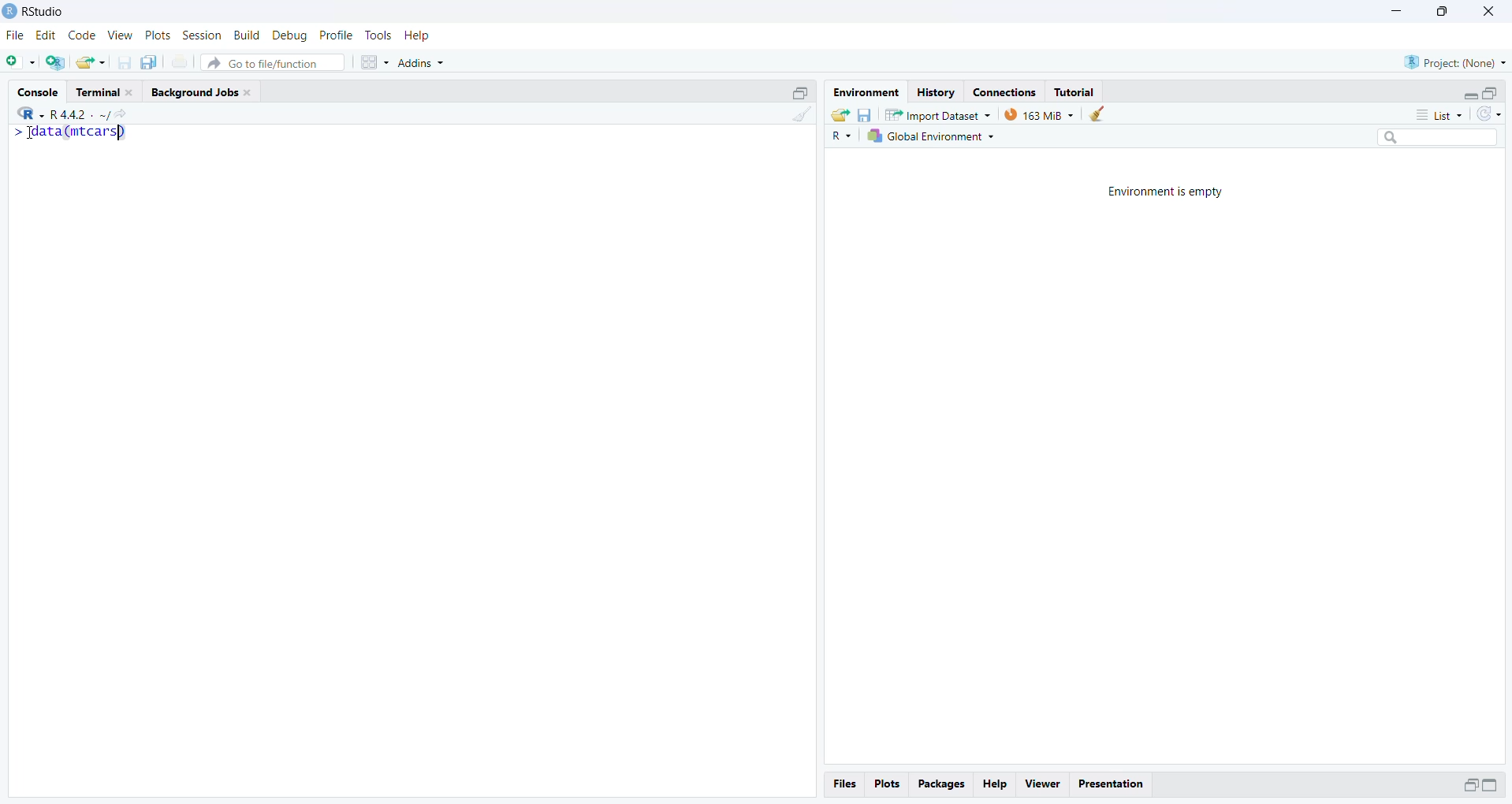 This screenshot has width=1512, height=804. Describe the element at coordinates (180, 62) in the screenshot. I see `print` at that location.